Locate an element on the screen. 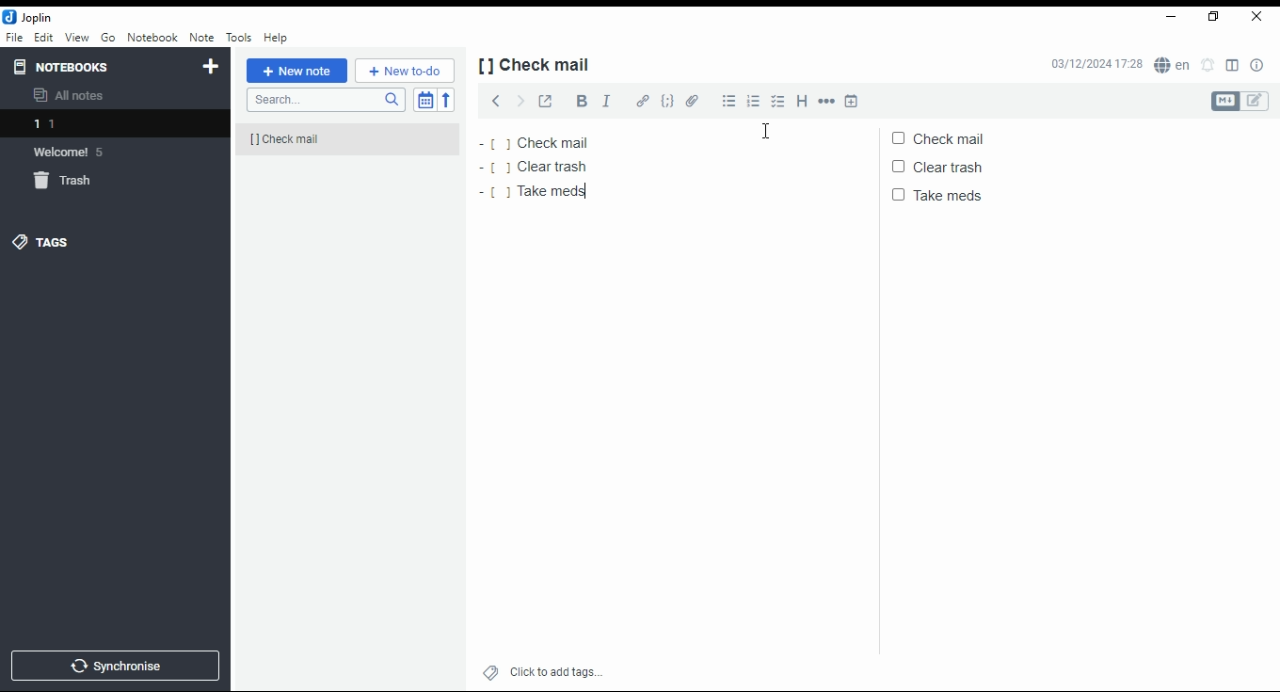 The height and width of the screenshot is (692, 1280). toggle sort order field is located at coordinates (425, 99).